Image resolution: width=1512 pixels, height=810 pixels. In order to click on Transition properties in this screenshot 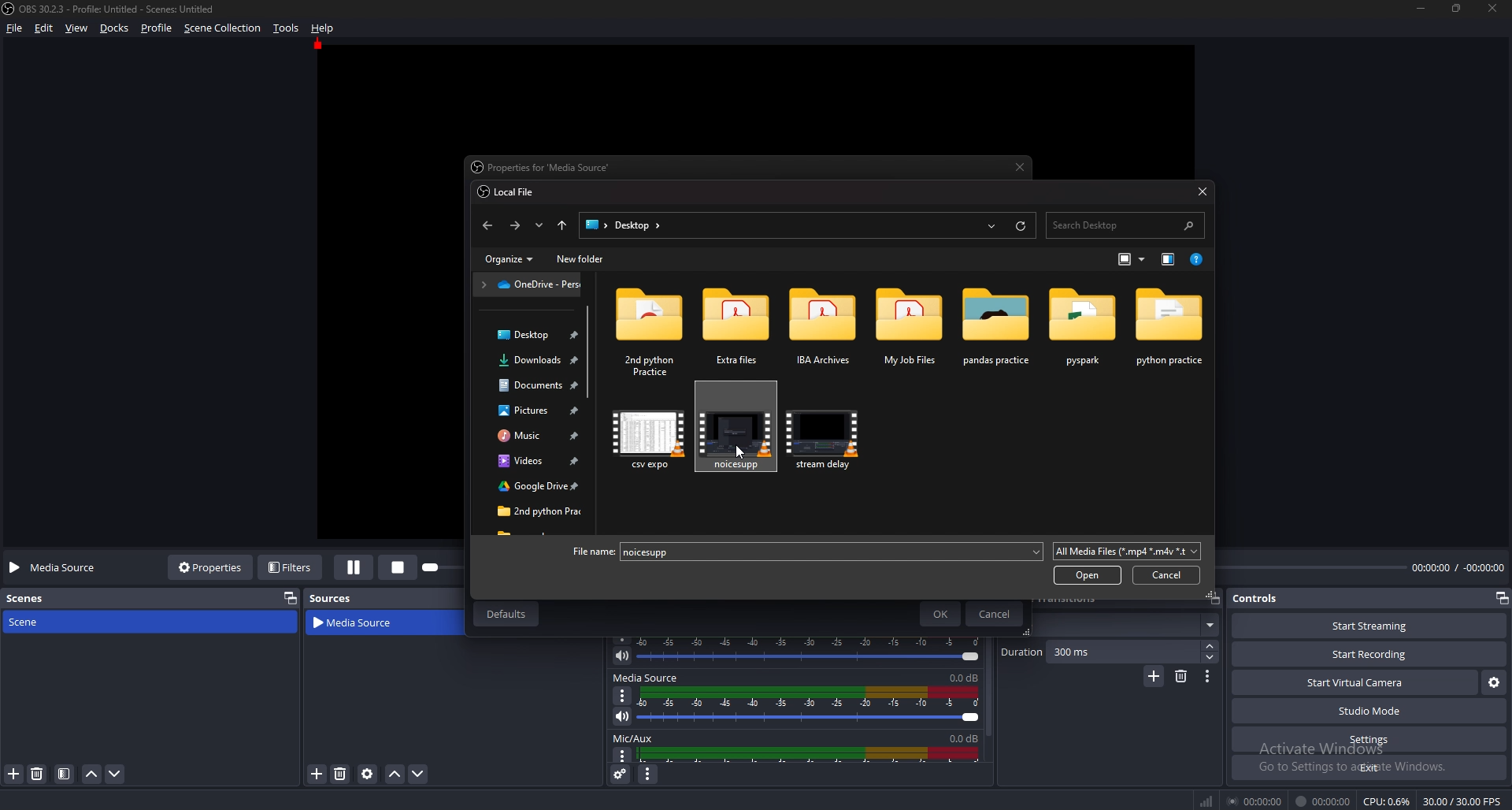, I will do `click(1207, 677)`.